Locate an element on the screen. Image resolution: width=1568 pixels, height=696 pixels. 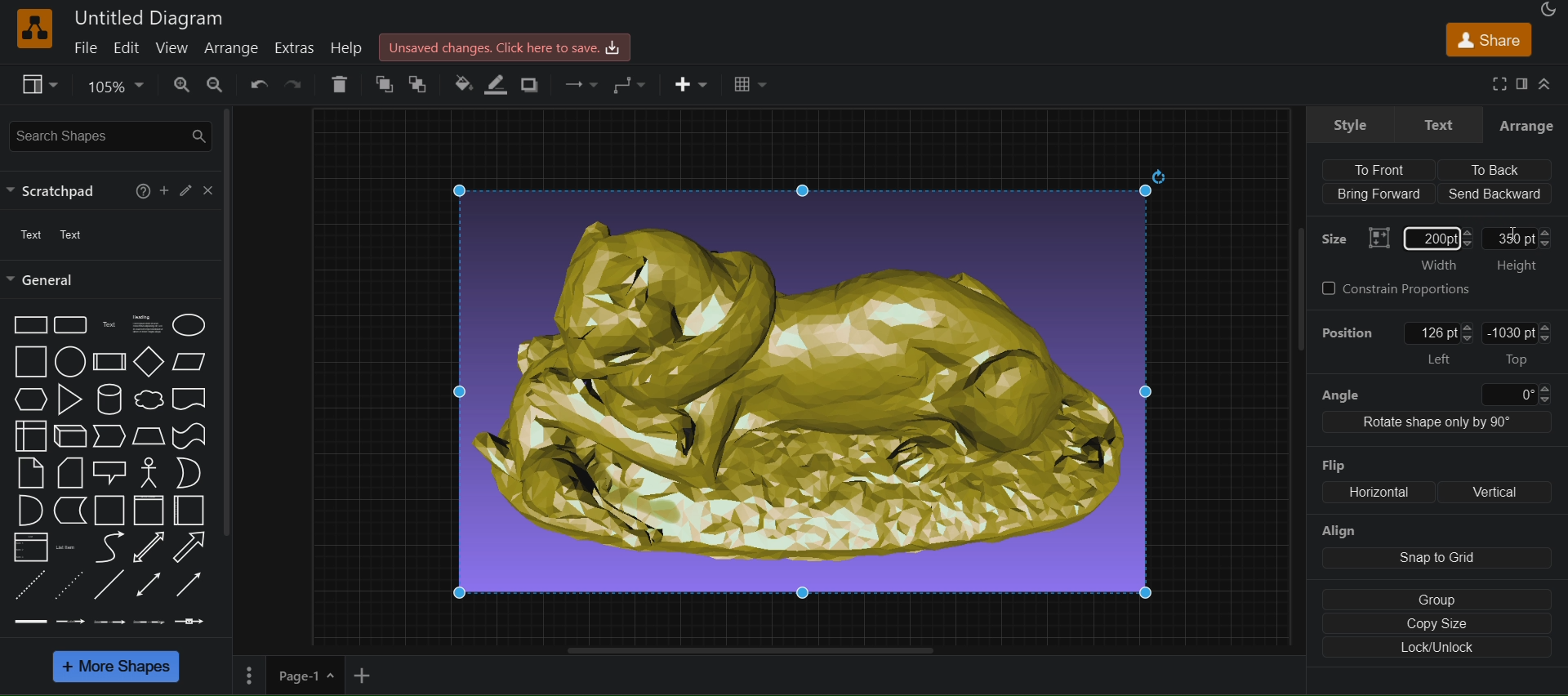
to front is located at coordinates (378, 84).